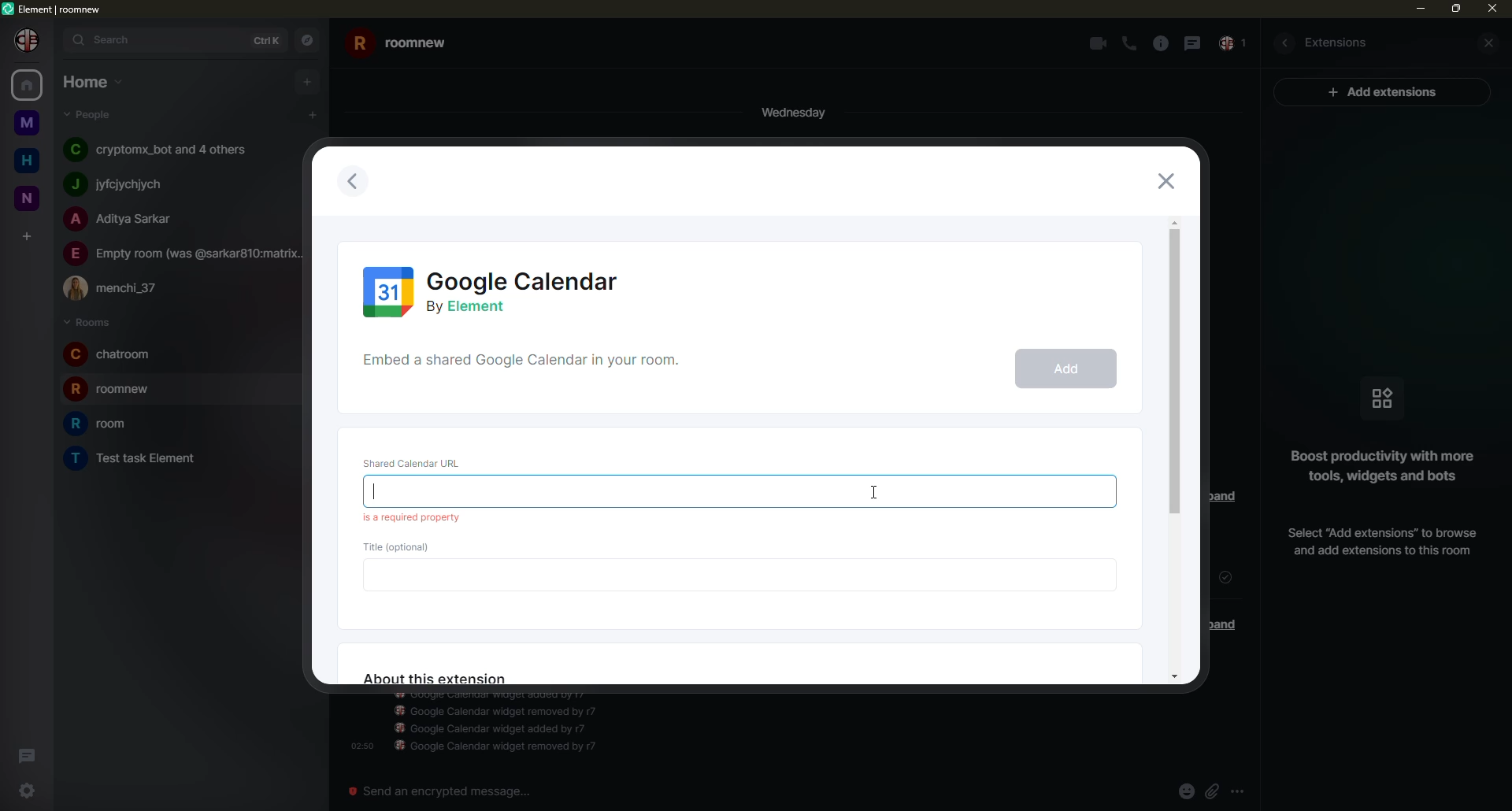  Describe the element at coordinates (113, 388) in the screenshot. I see `room` at that location.